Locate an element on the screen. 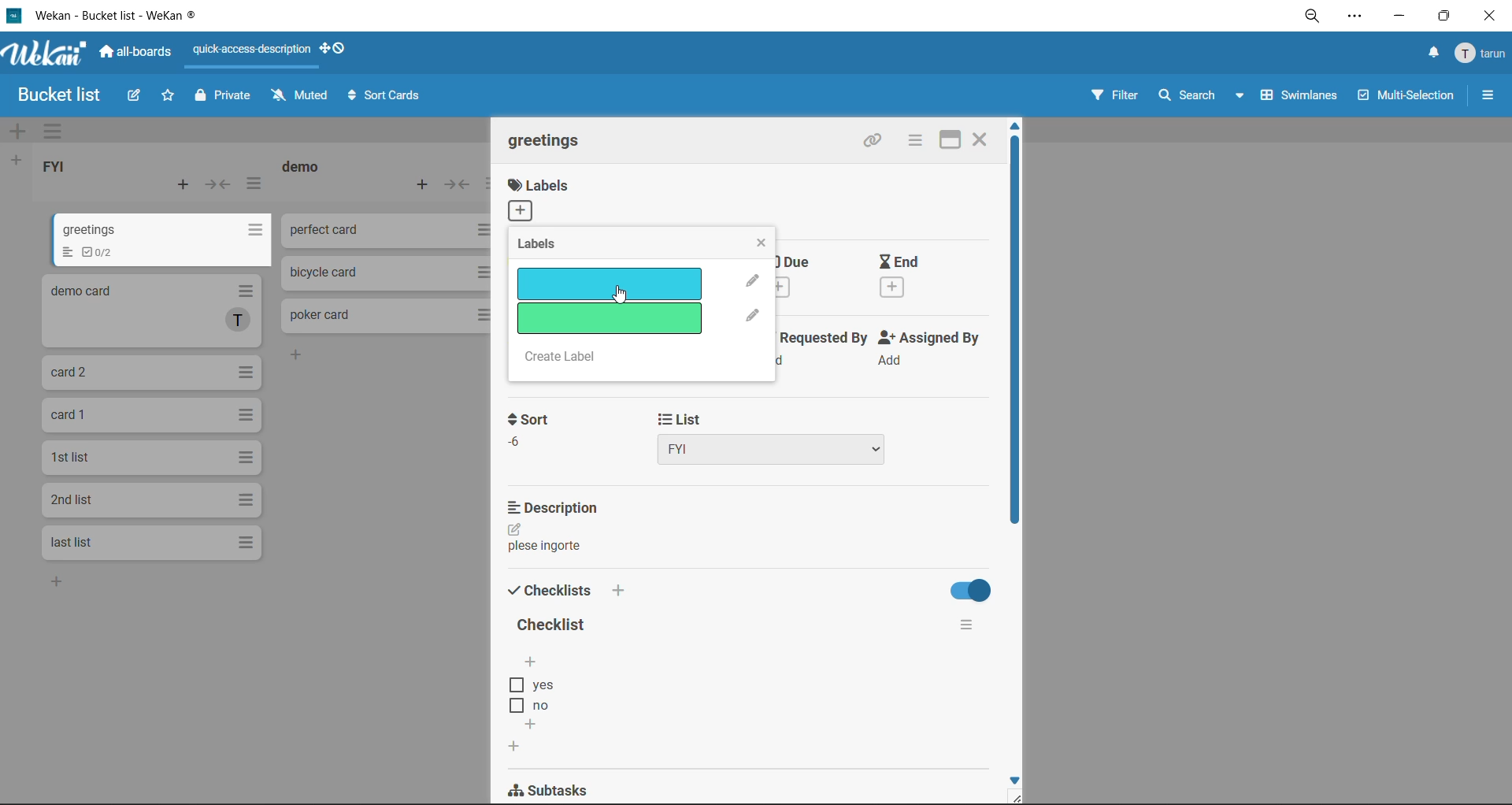 The image size is (1512, 805). subtasks is located at coordinates (560, 789).